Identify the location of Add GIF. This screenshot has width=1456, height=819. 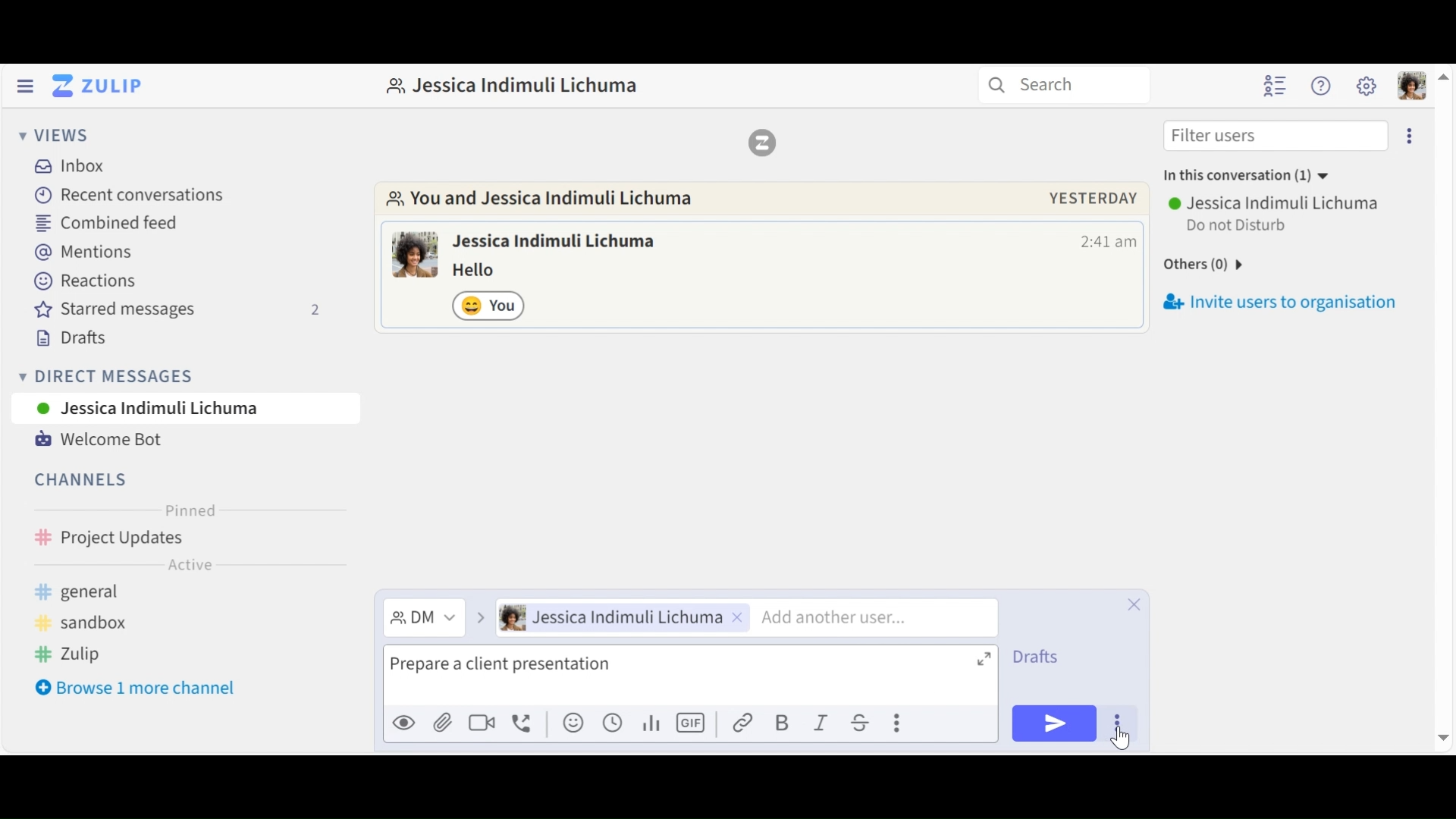
(693, 723).